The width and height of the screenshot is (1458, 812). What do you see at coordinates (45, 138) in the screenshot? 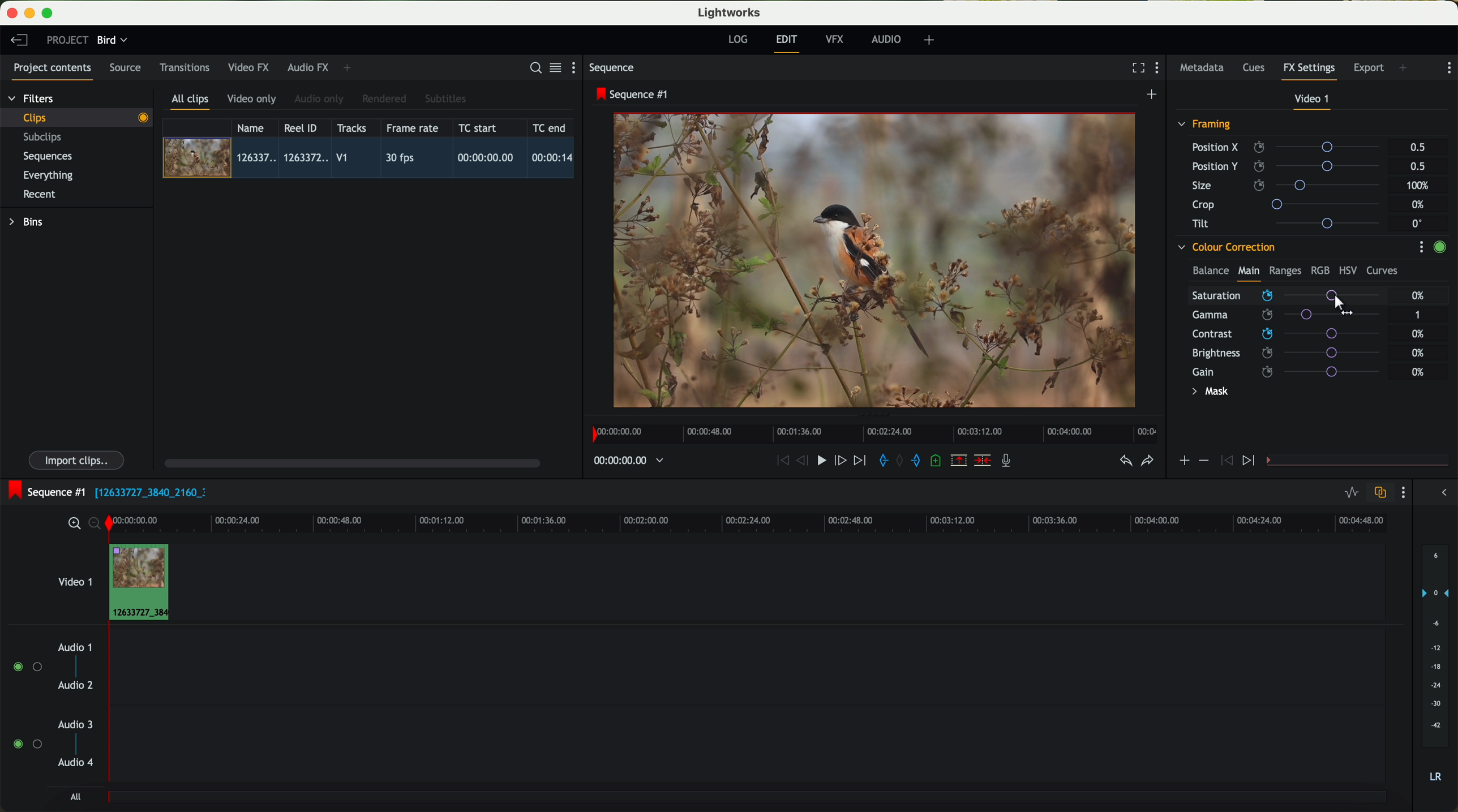
I see `subclips` at bounding box center [45, 138].